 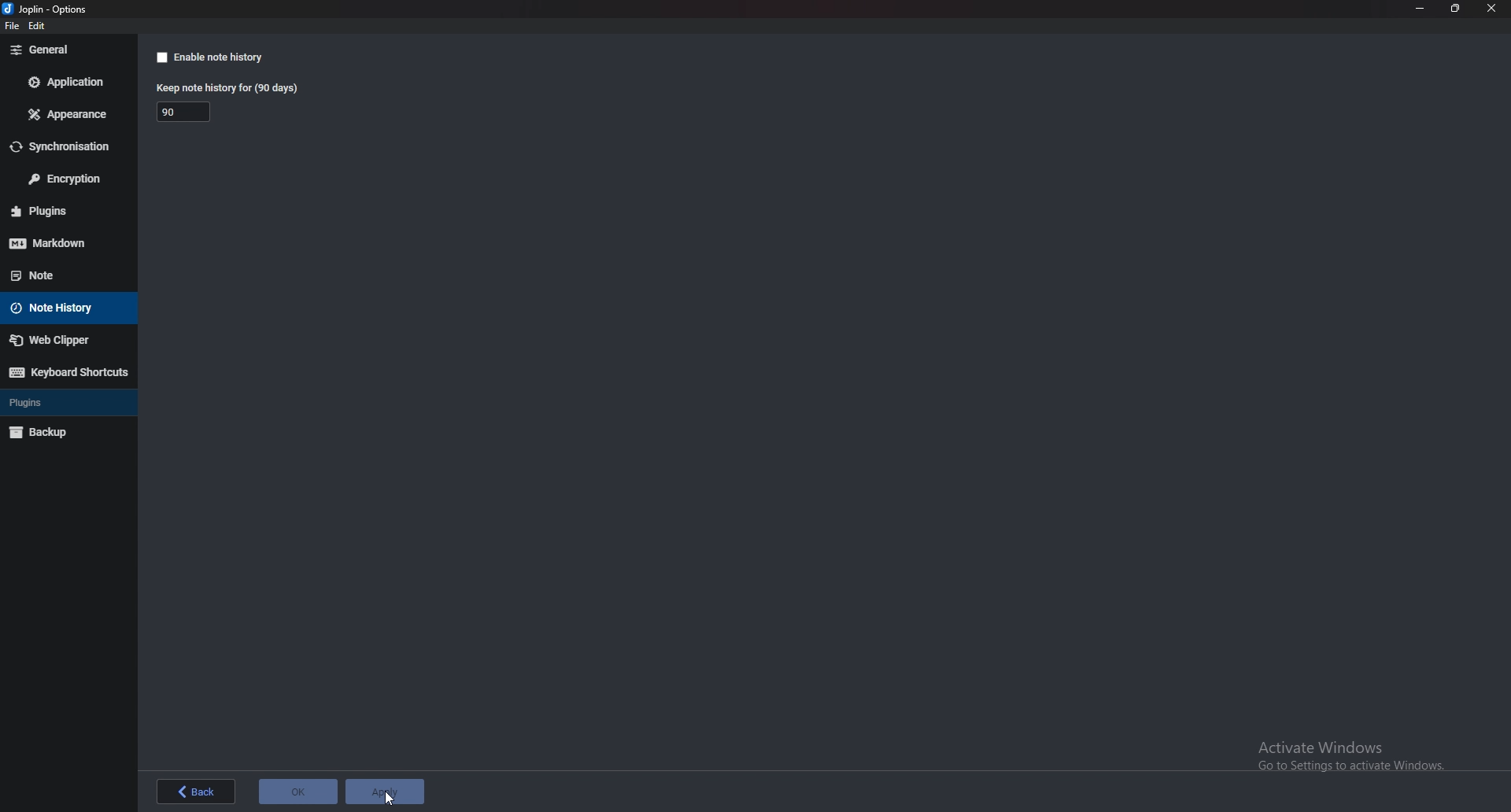 What do you see at coordinates (63, 432) in the screenshot?
I see `Backup` at bounding box center [63, 432].